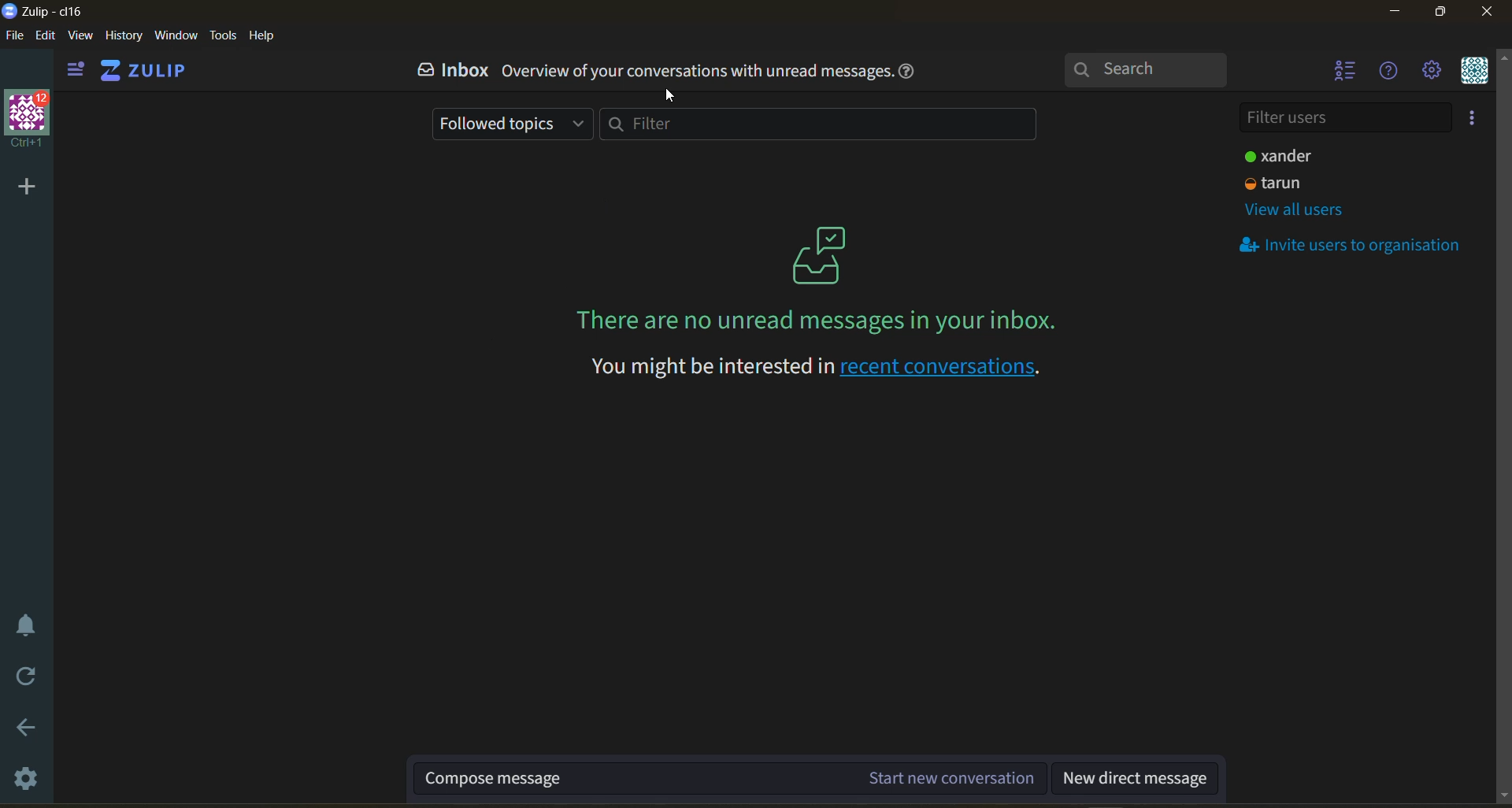 The width and height of the screenshot is (1512, 808). I want to click on personal menu, so click(1482, 70).